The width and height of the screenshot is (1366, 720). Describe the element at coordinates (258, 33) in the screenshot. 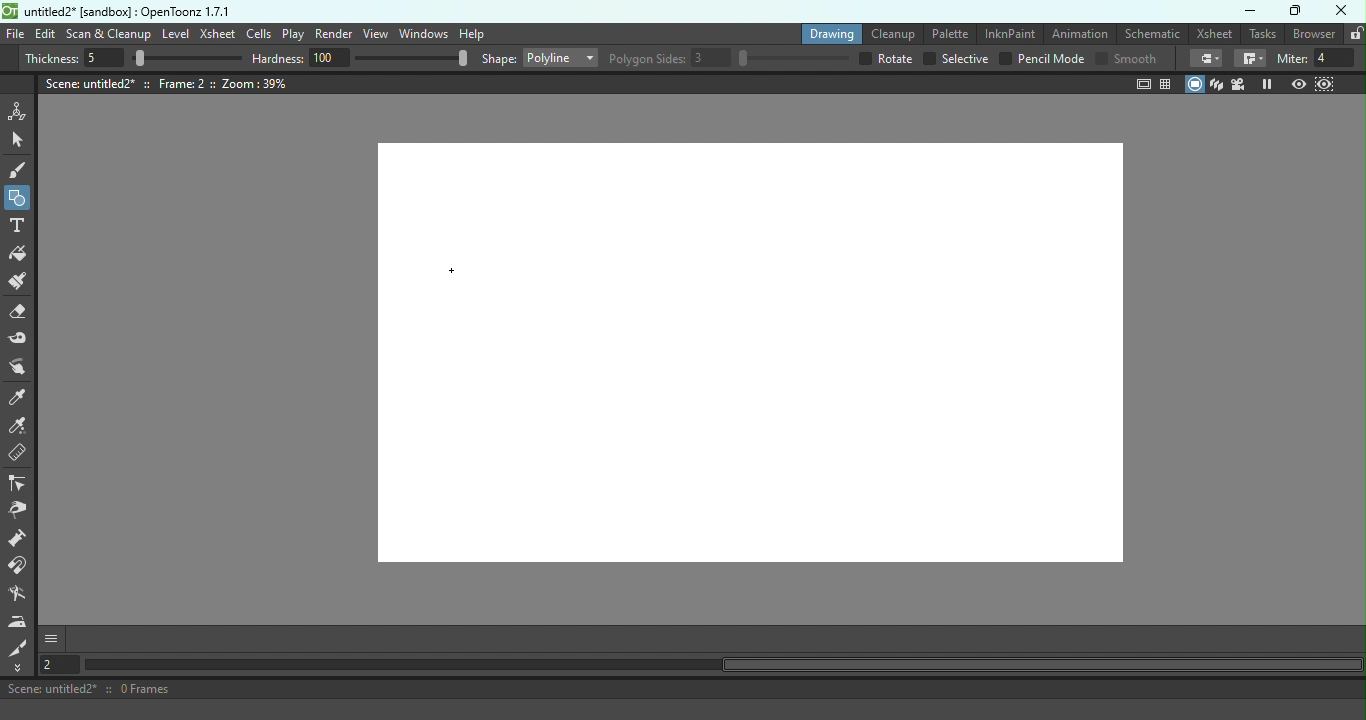

I see `Cells` at that location.